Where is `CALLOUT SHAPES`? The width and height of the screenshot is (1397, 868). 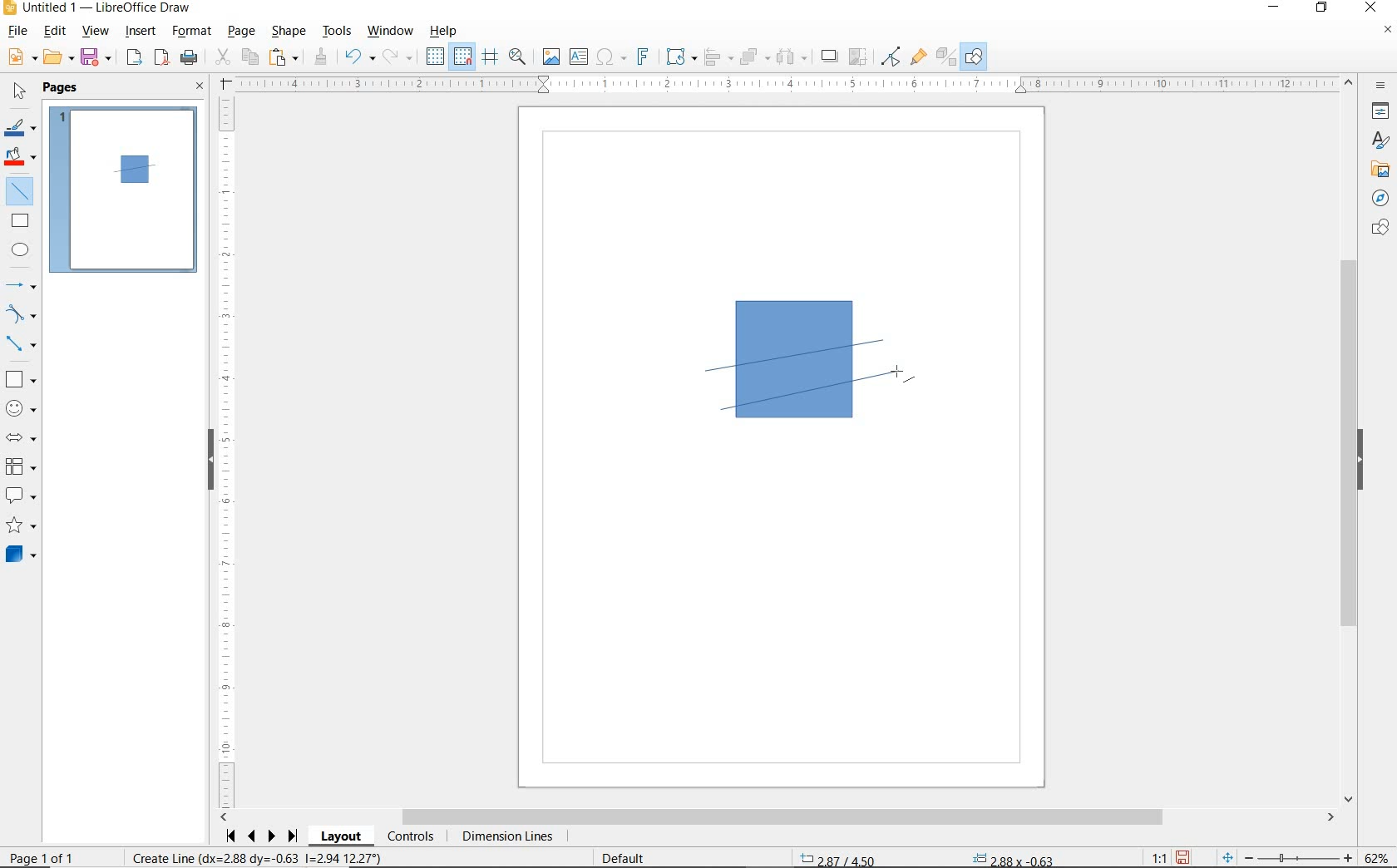 CALLOUT SHAPES is located at coordinates (22, 496).